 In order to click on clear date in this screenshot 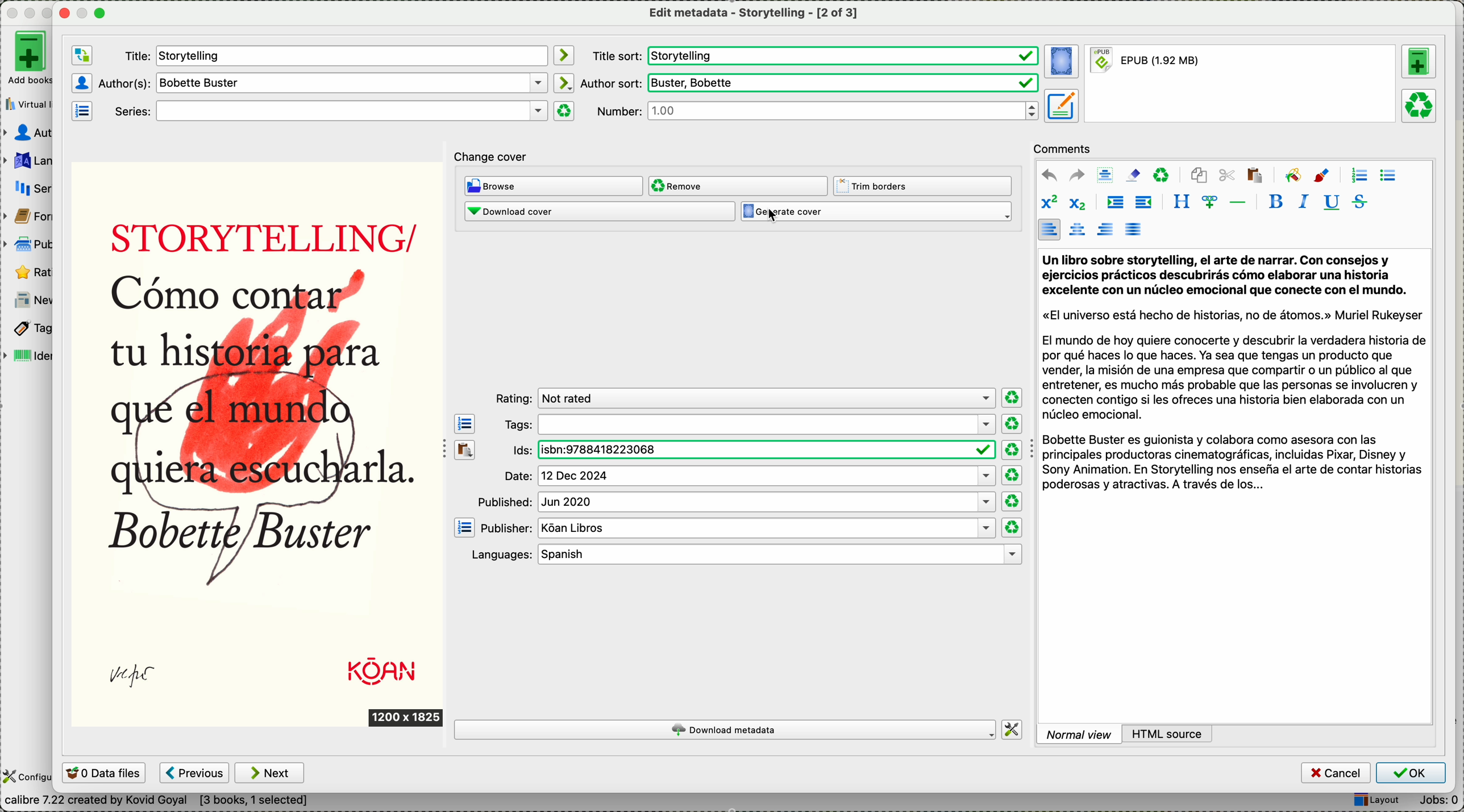, I will do `click(1013, 450)`.